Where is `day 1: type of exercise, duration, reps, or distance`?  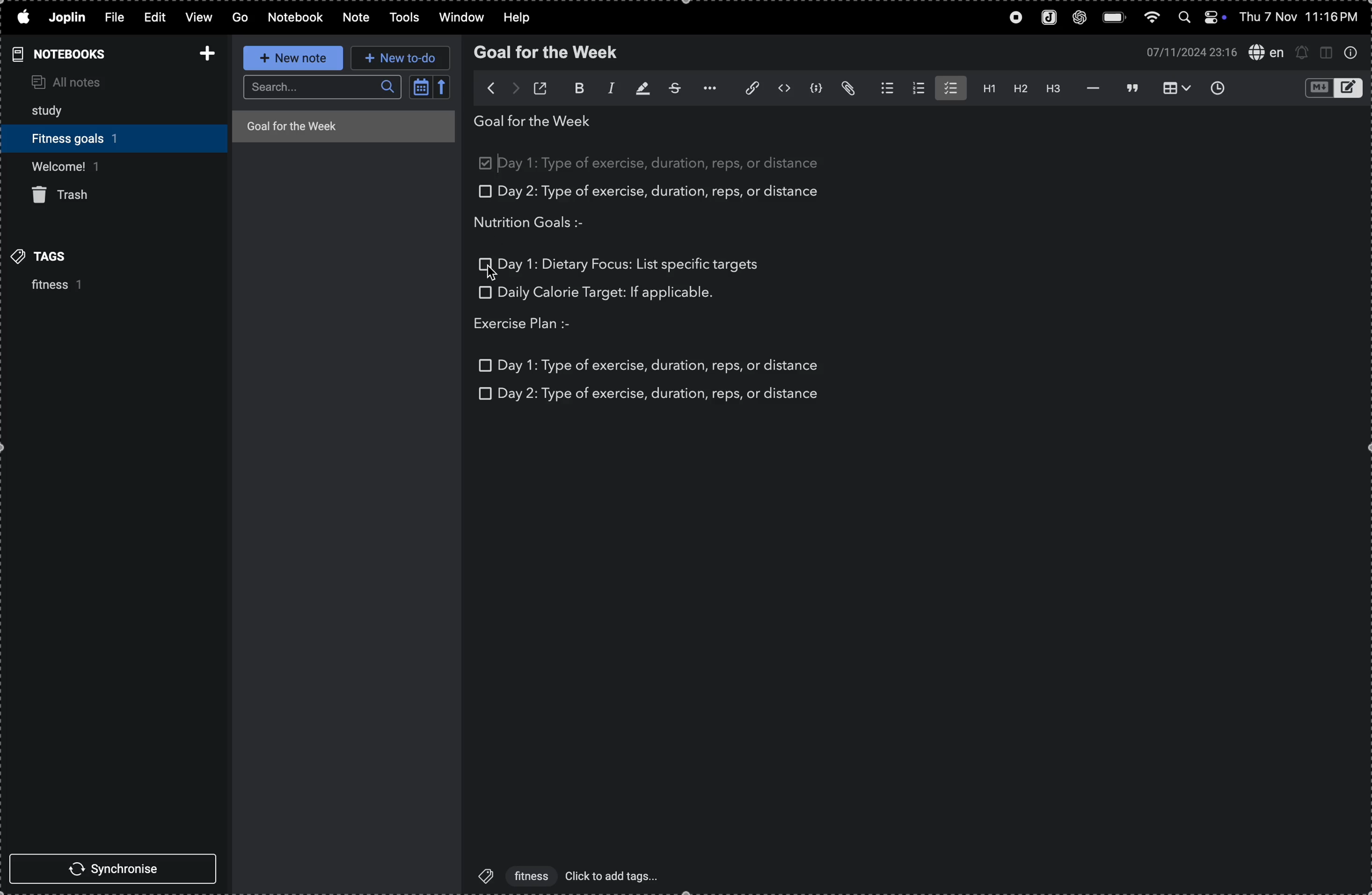 day 1: type of exercise, duration, reps, or distance is located at coordinates (661, 363).